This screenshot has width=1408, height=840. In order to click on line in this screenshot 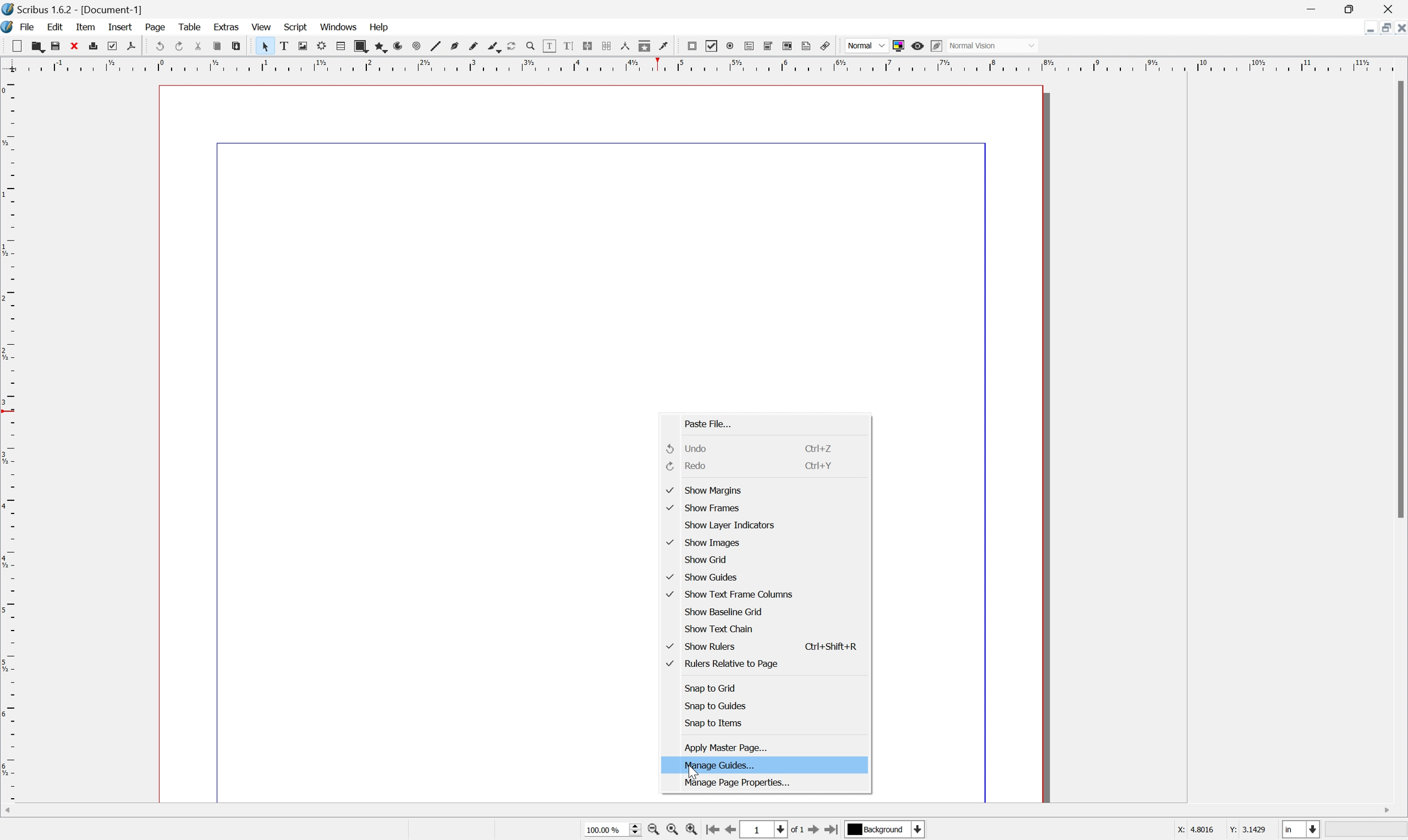, I will do `click(436, 46)`.